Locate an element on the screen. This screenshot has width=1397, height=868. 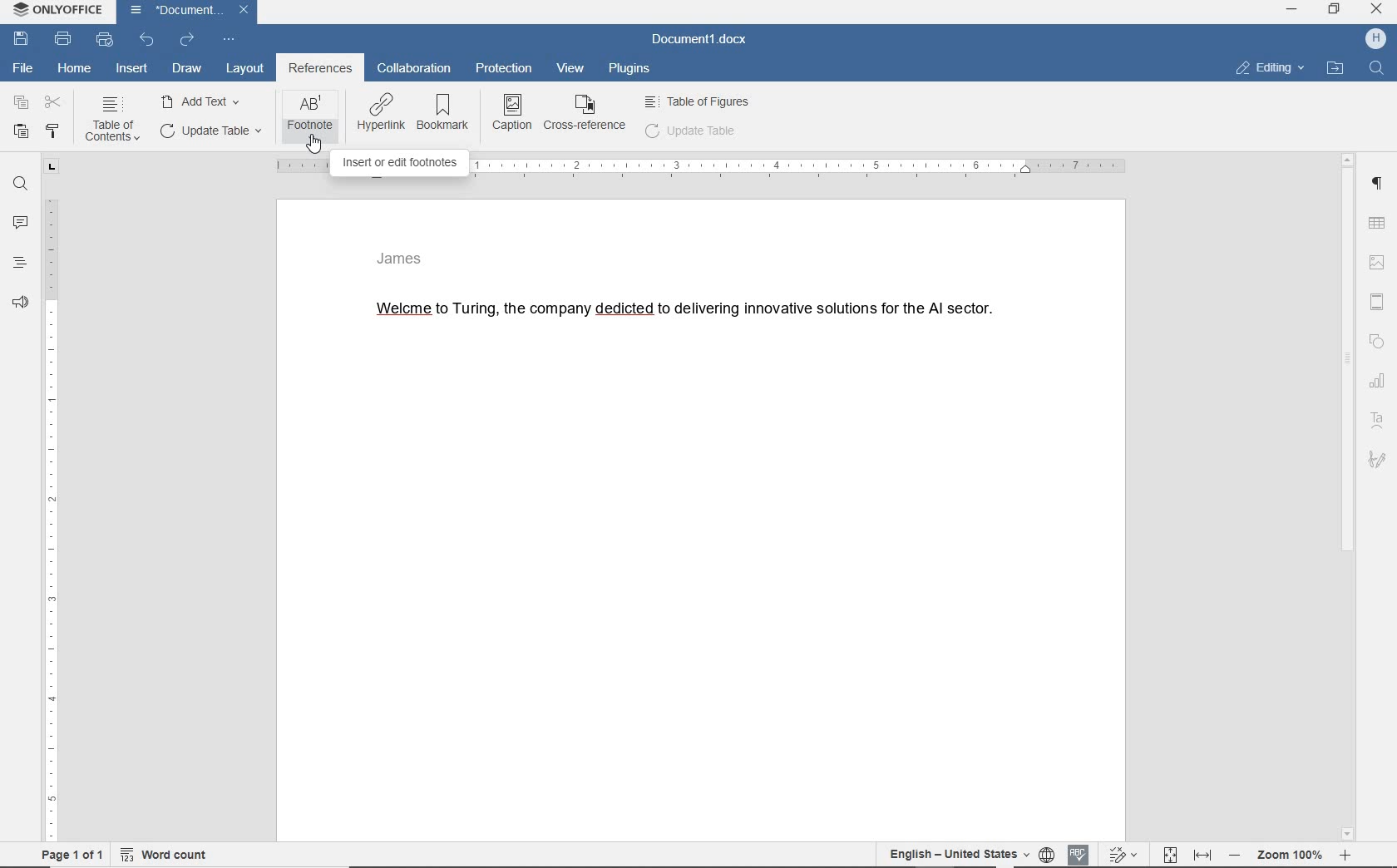
PARAGRAPH SETTINGS is located at coordinates (1379, 185).